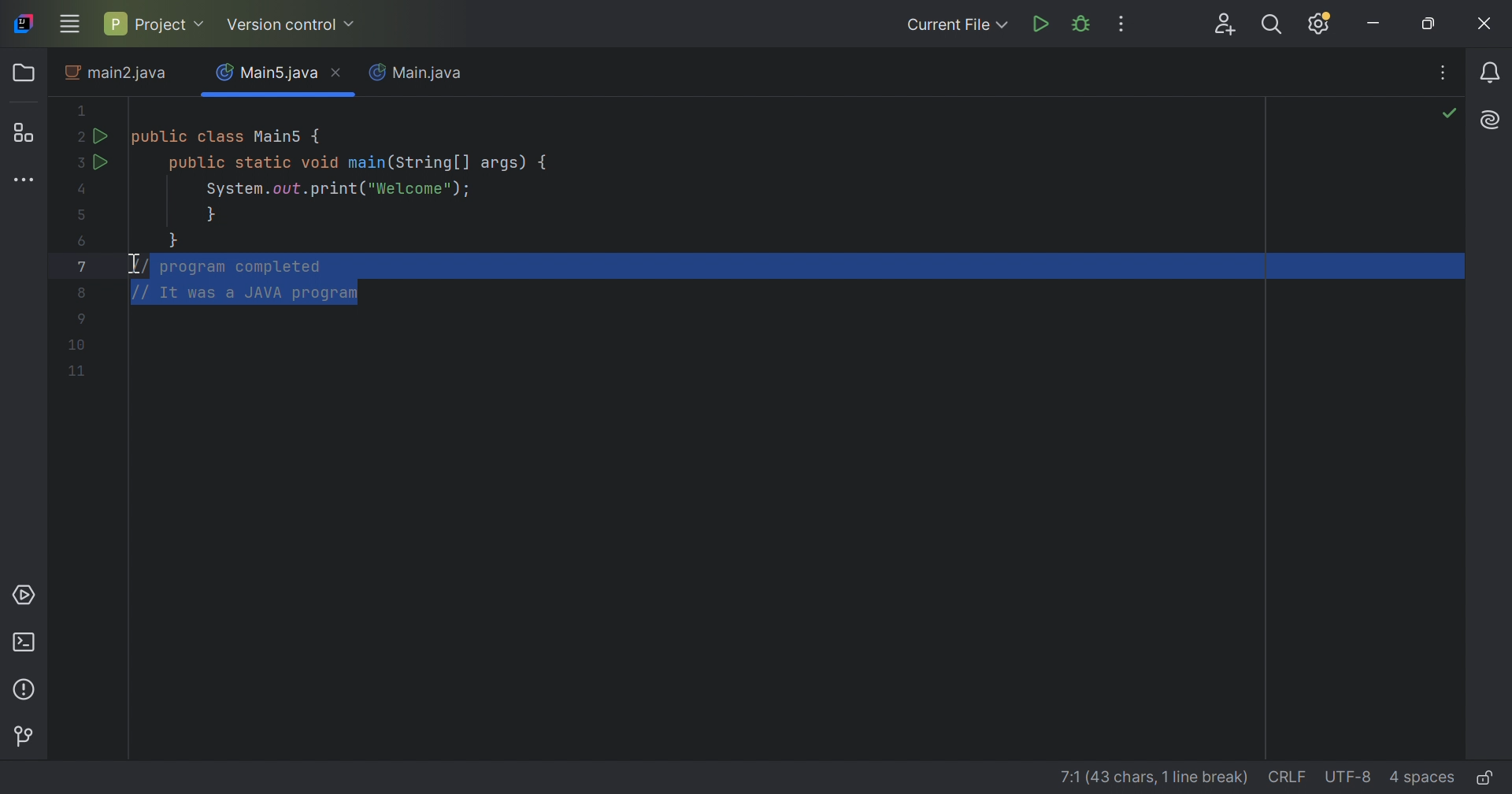 The image size is (1512, 794). What do you see at coordinates (24, 24) in the screenshot?
I see `IntelliJ icon` at bounding box center [24, 24].